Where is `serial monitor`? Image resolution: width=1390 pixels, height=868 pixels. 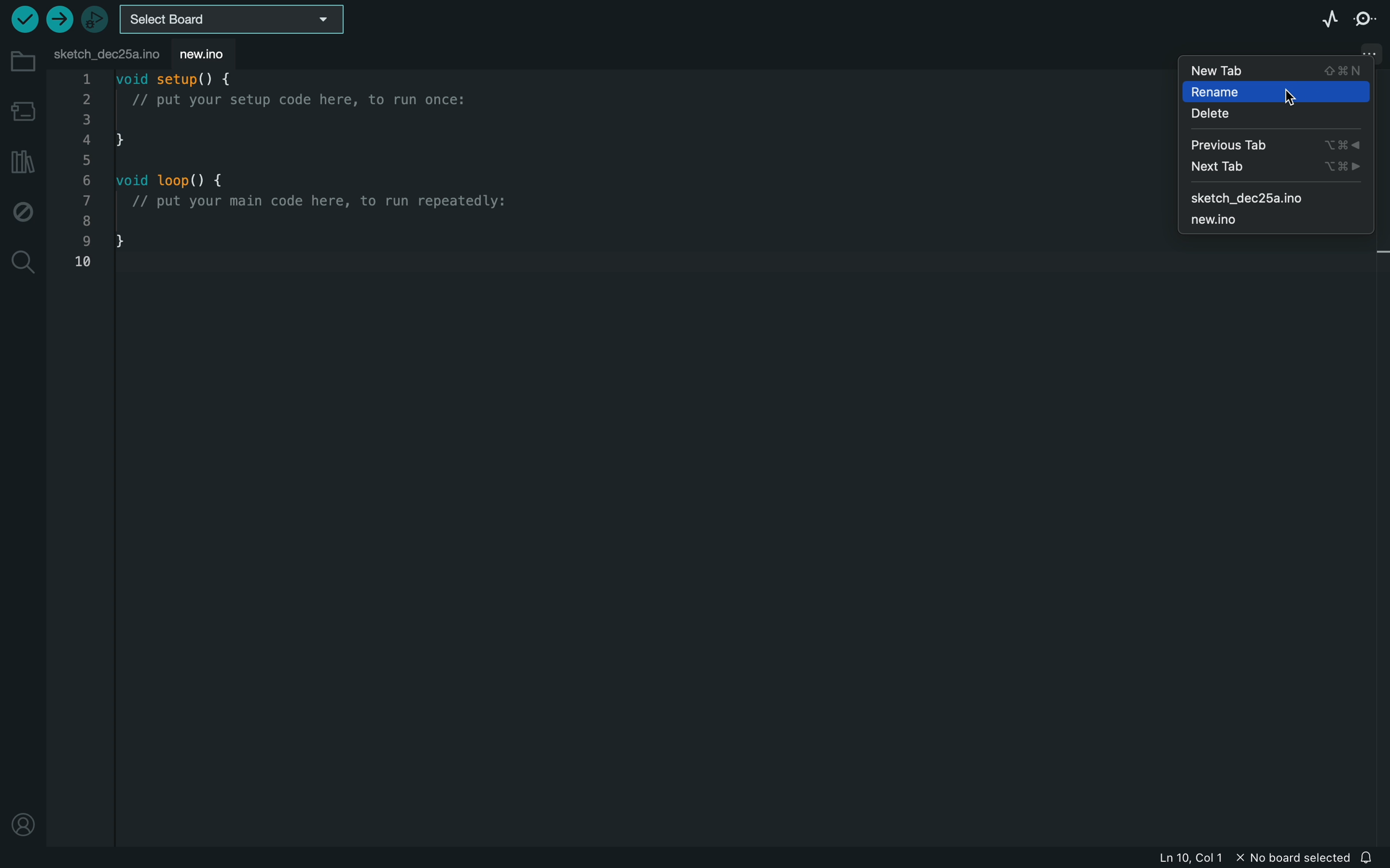 serial monitor is located at coordinates (1364, 20).